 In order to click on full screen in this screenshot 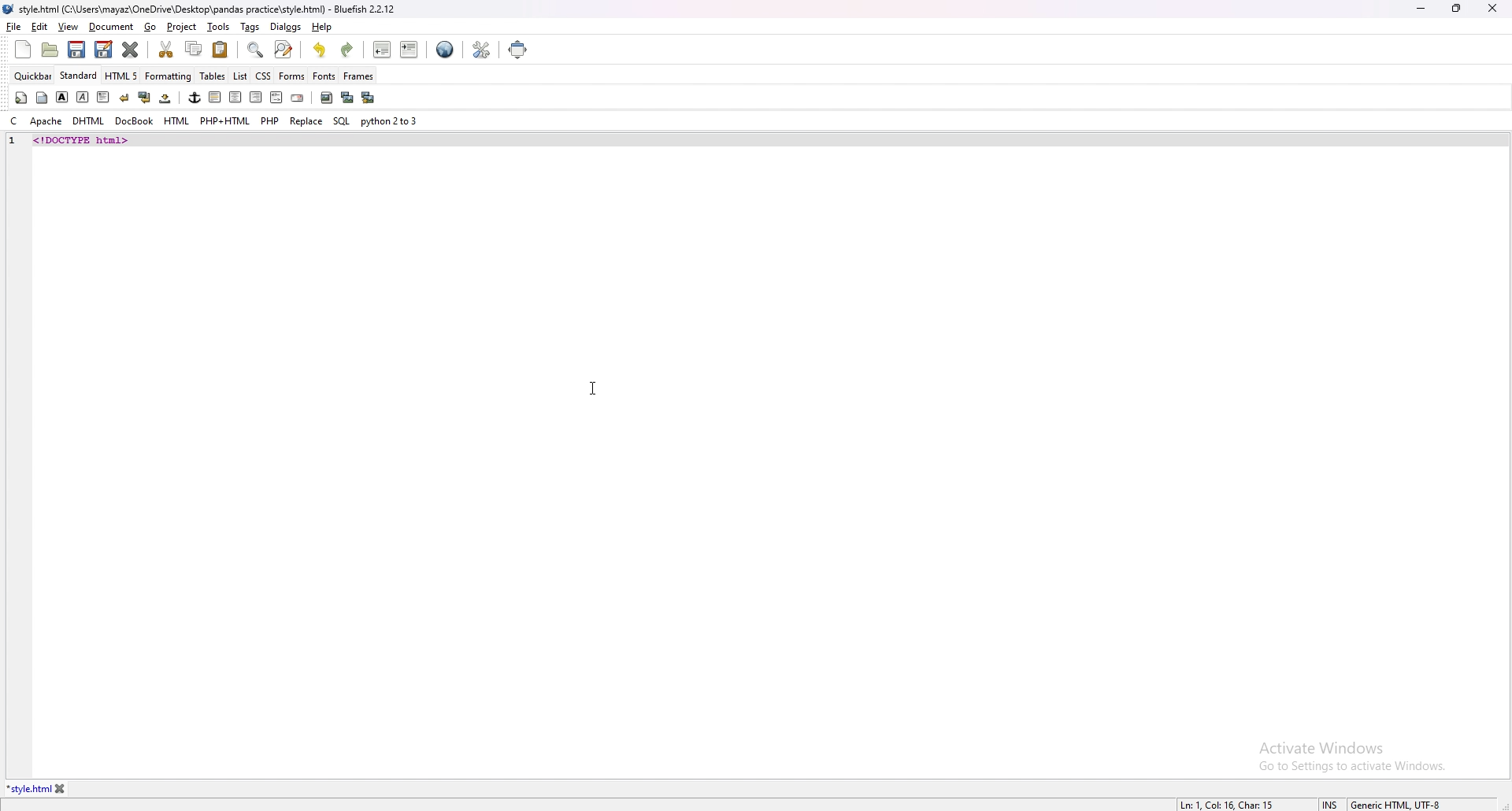, I will do `click(520, 49)`.